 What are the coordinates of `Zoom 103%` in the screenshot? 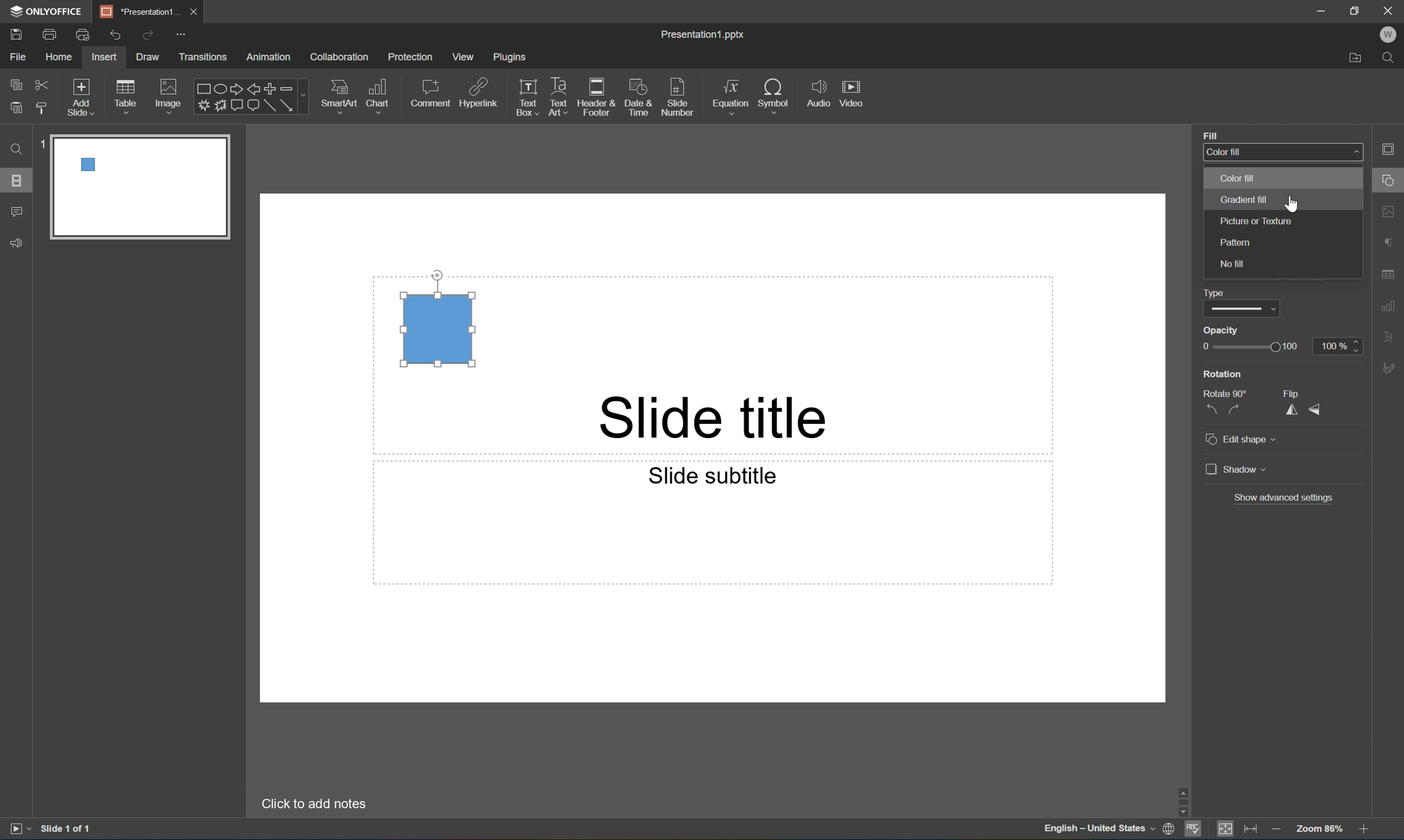 It's located at (1319, 828).